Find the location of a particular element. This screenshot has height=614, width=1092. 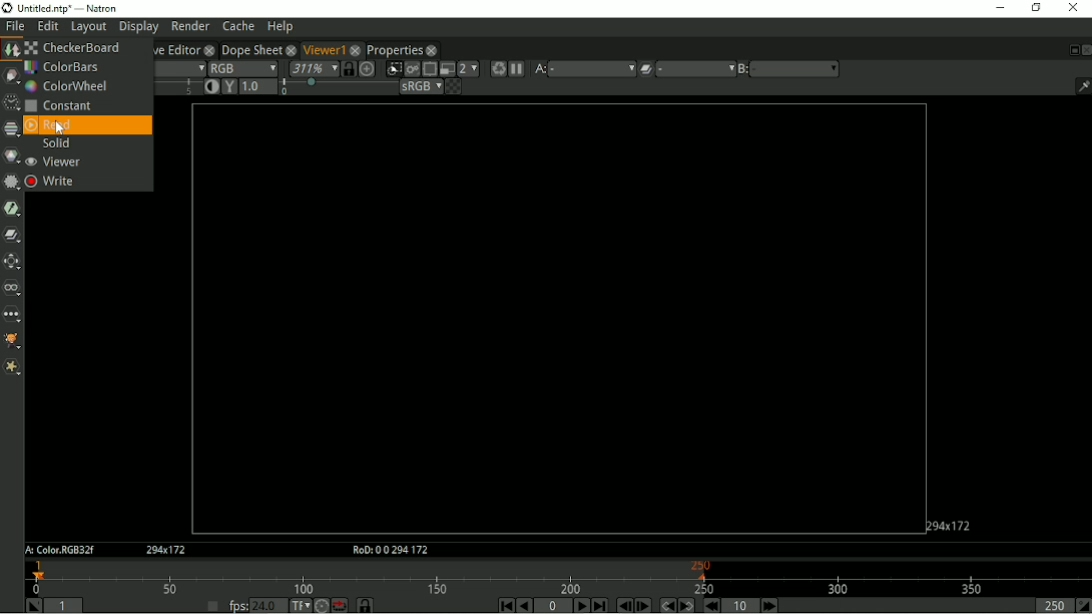

Previous keyframe is located at coordinates (666, 605).